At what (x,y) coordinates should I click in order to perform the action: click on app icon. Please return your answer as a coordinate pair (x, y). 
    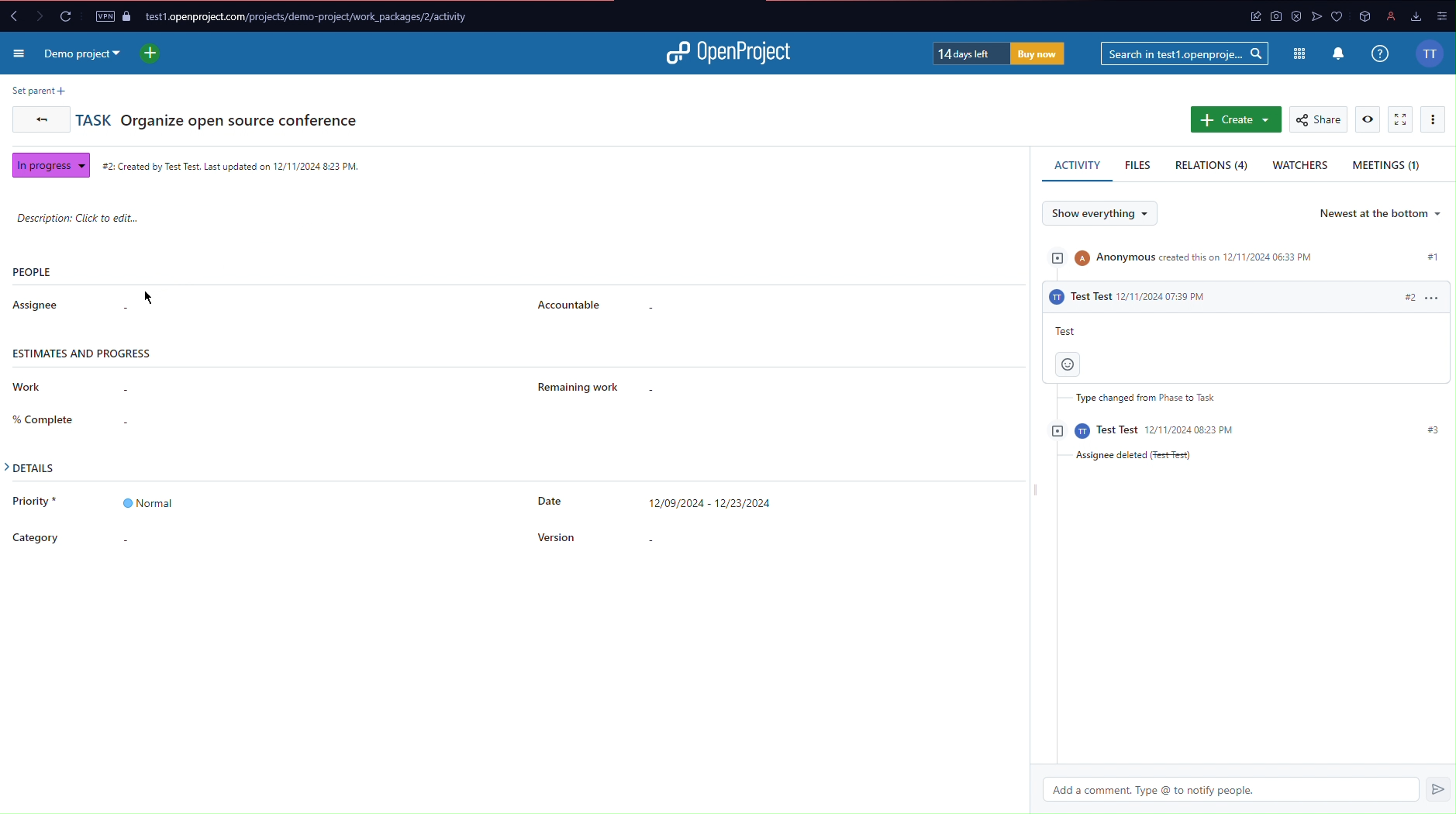
    Looking at the image, I should click on (1367, 16).